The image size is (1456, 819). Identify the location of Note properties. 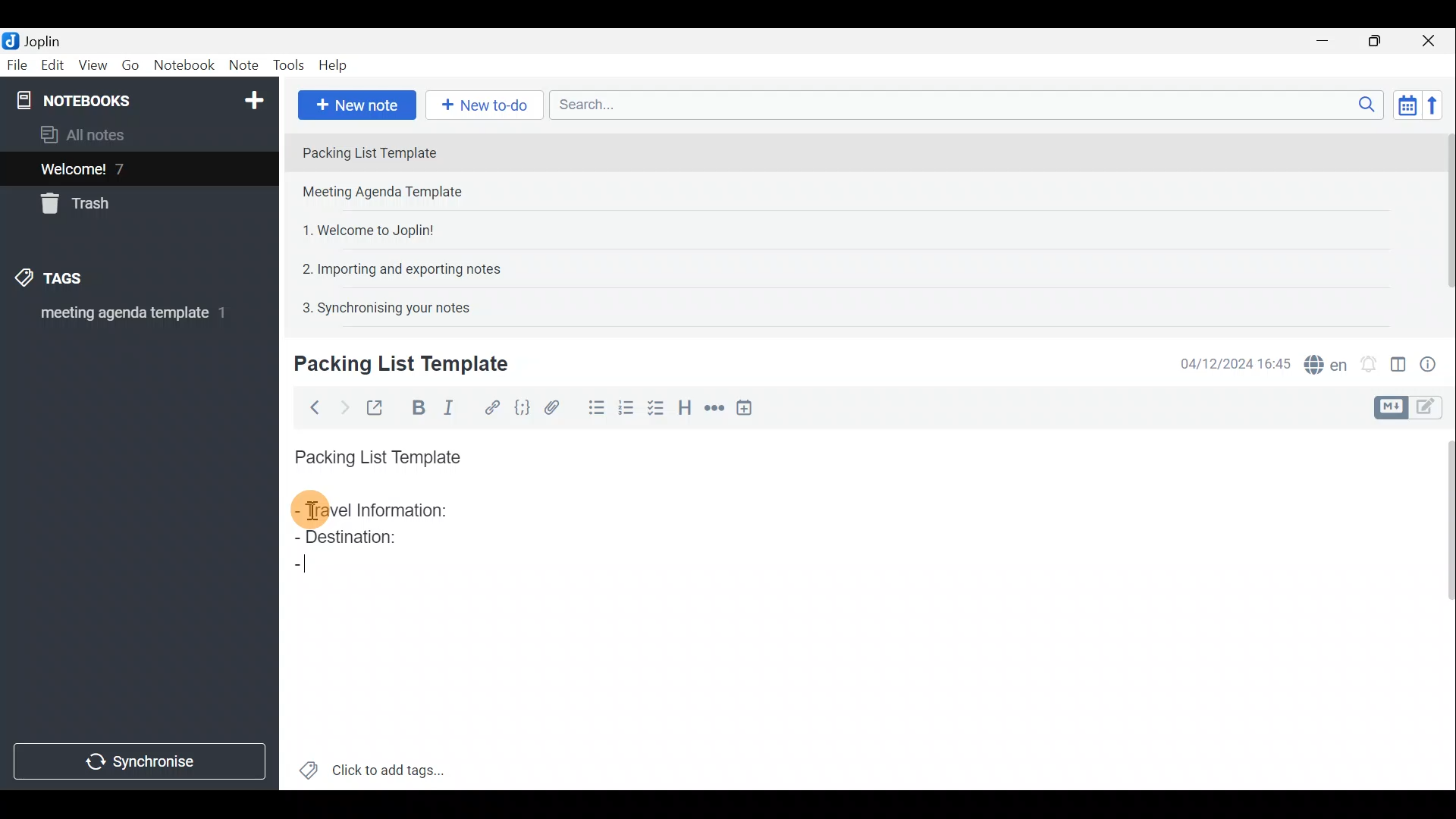
(1433, 362).